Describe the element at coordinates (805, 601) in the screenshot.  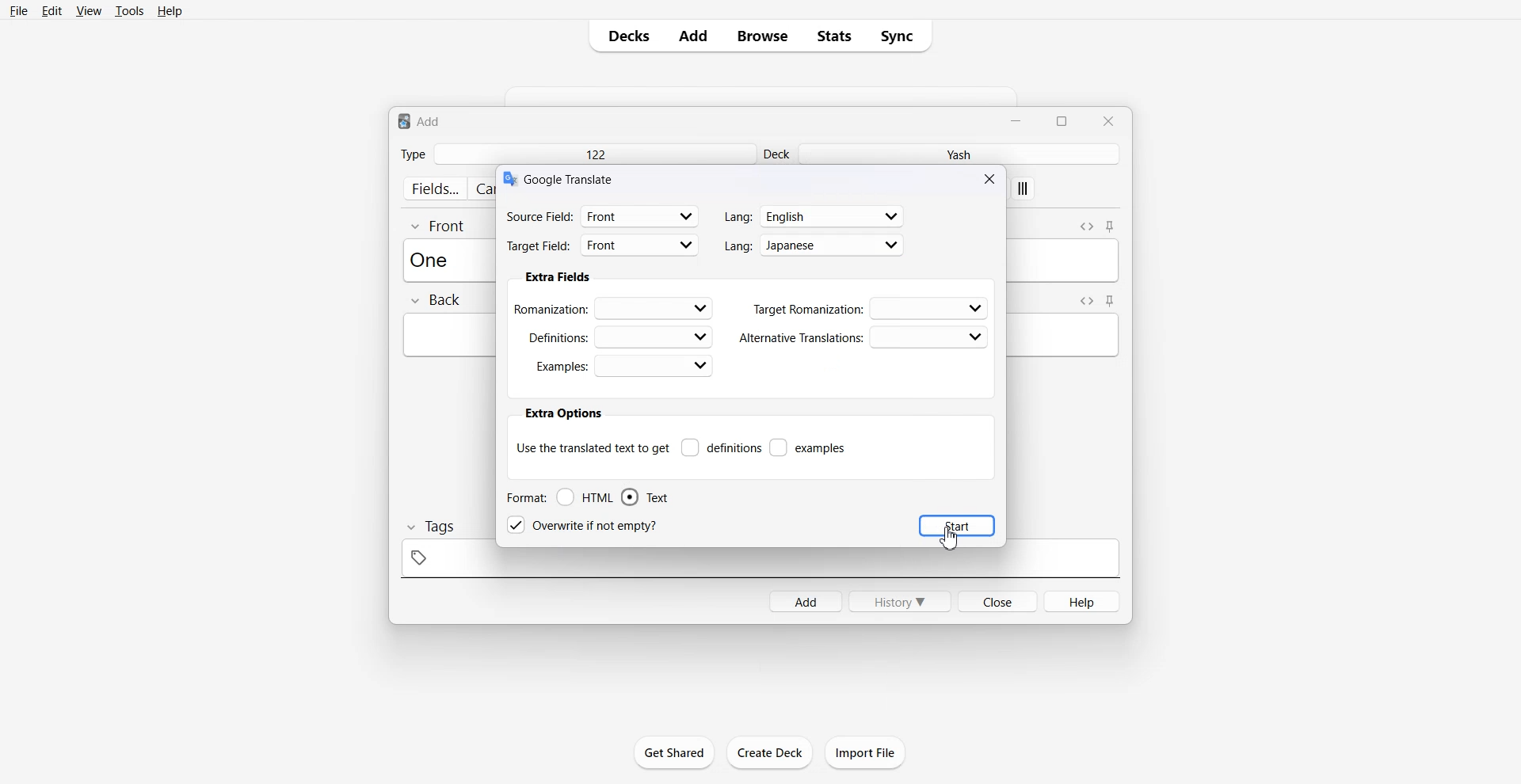
I see `Add` at that location.